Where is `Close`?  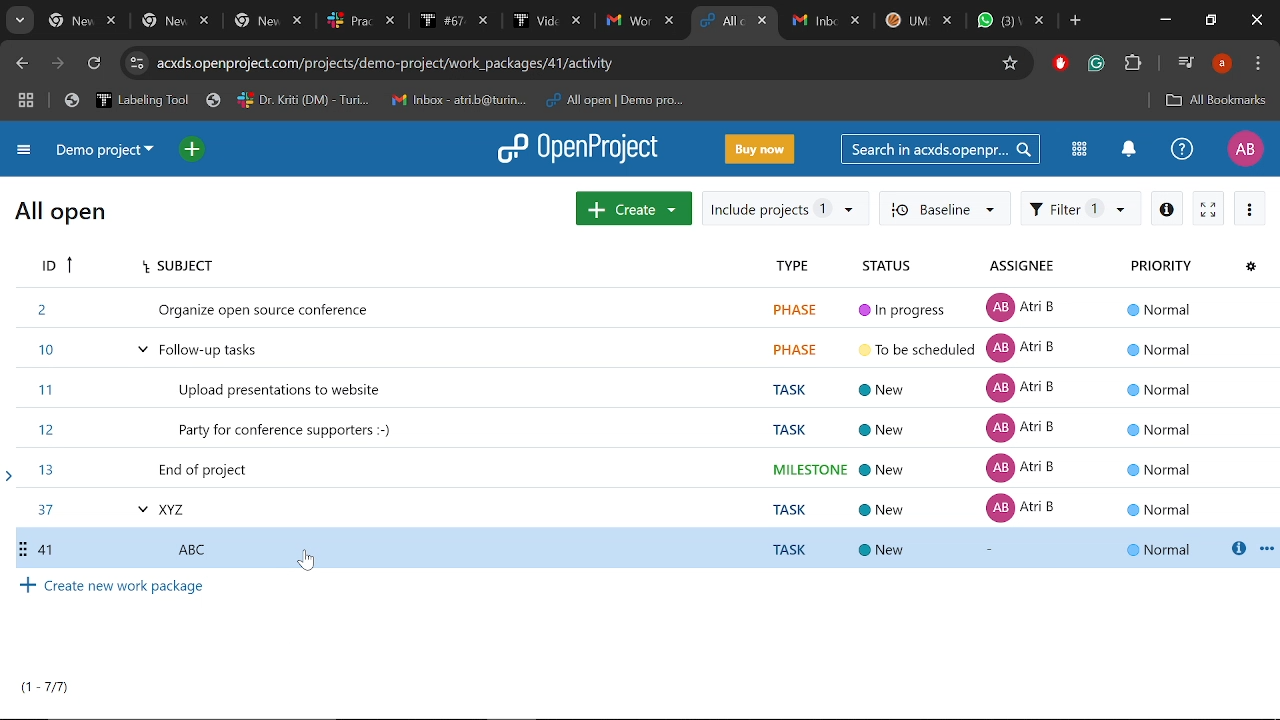
Close is located at coordinates (1254, 21).